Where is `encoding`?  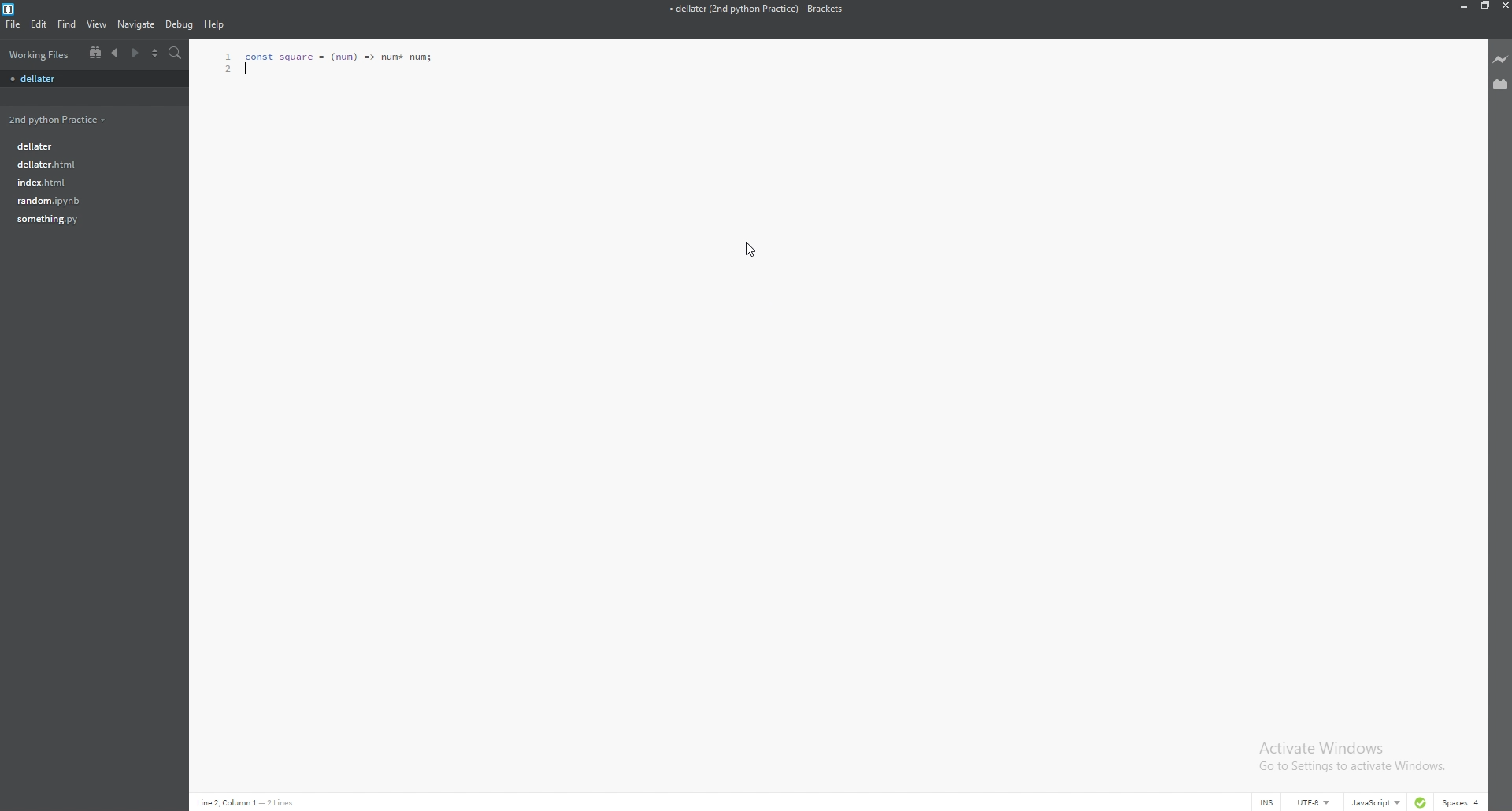 encoding is located at coordinates (1314, 804).